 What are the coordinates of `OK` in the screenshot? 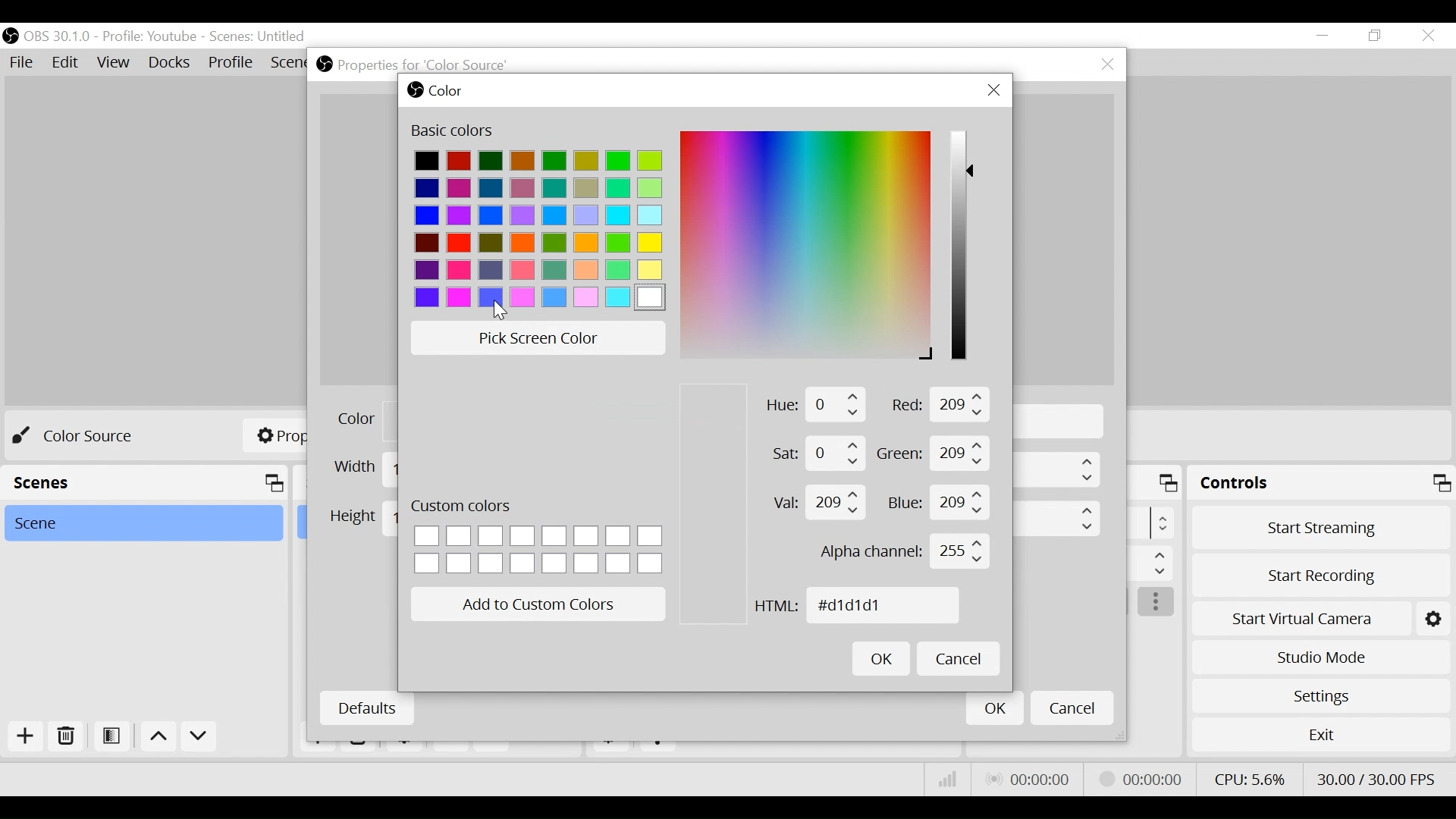 It's located at (993, 709).